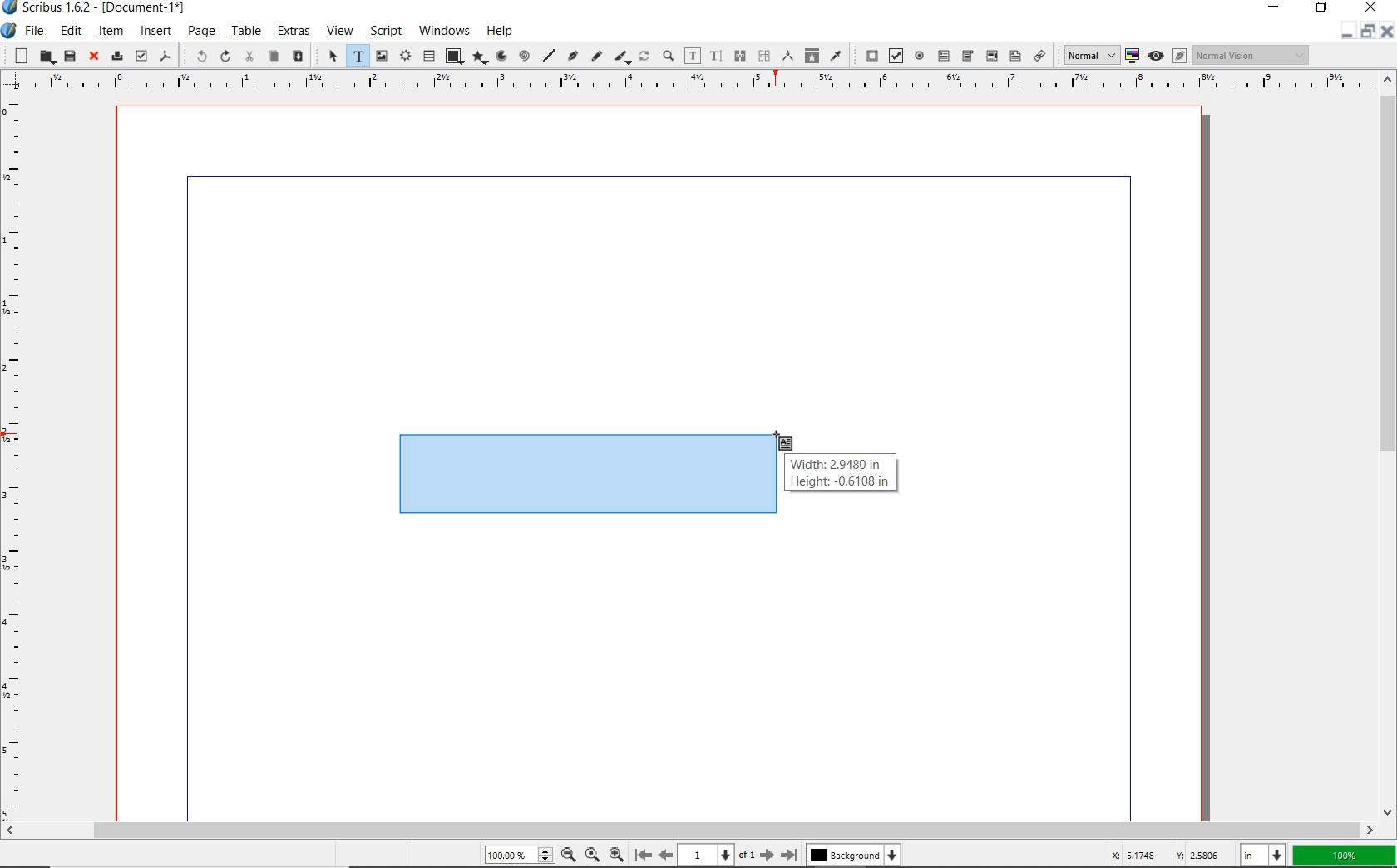  What do you see at coordinates (1324, 9) in the screenshot?
I see `restore` at bounding box center [1324, 9].